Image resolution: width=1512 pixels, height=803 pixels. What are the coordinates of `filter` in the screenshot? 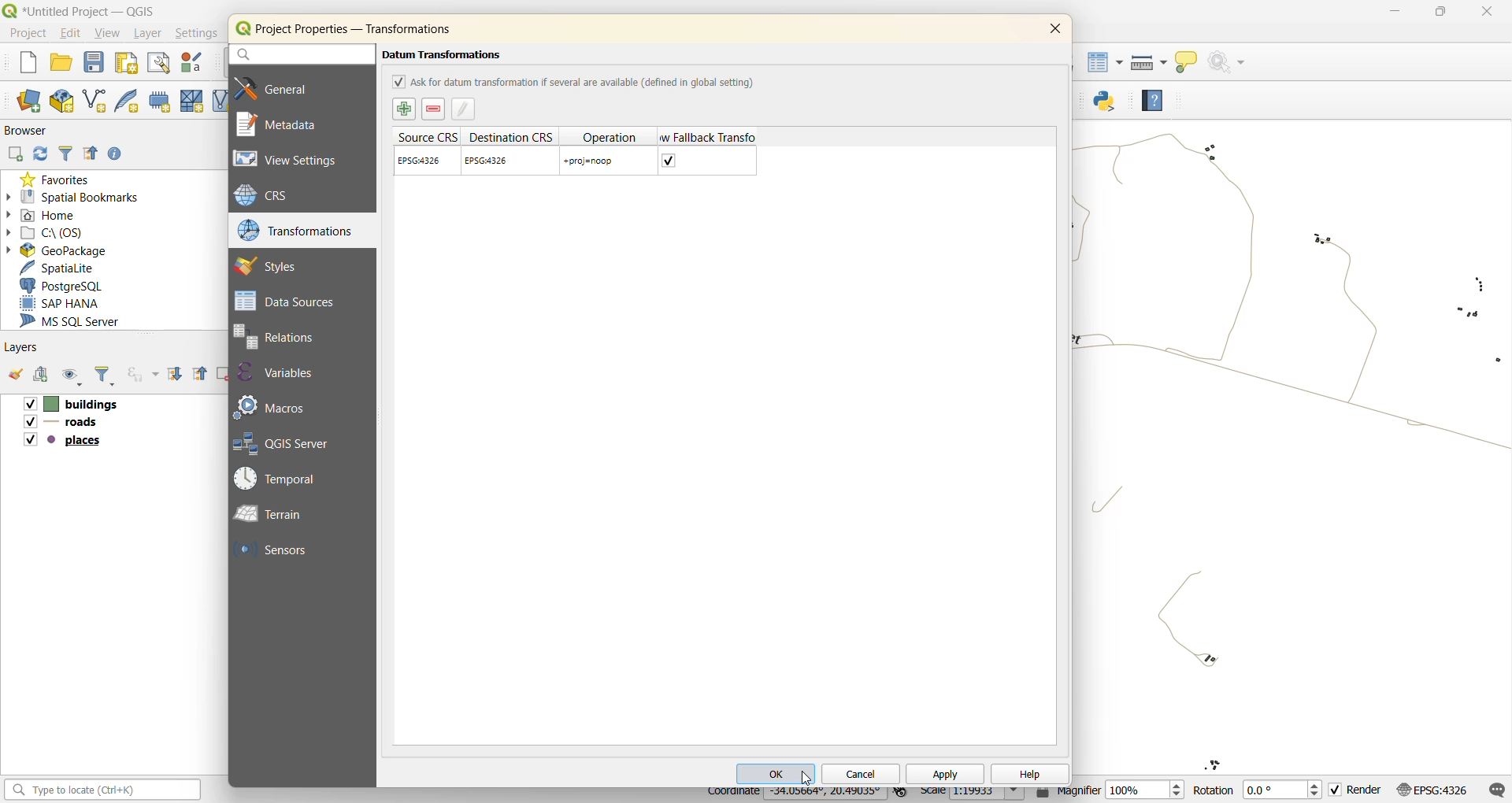 It's located at (67, 154).